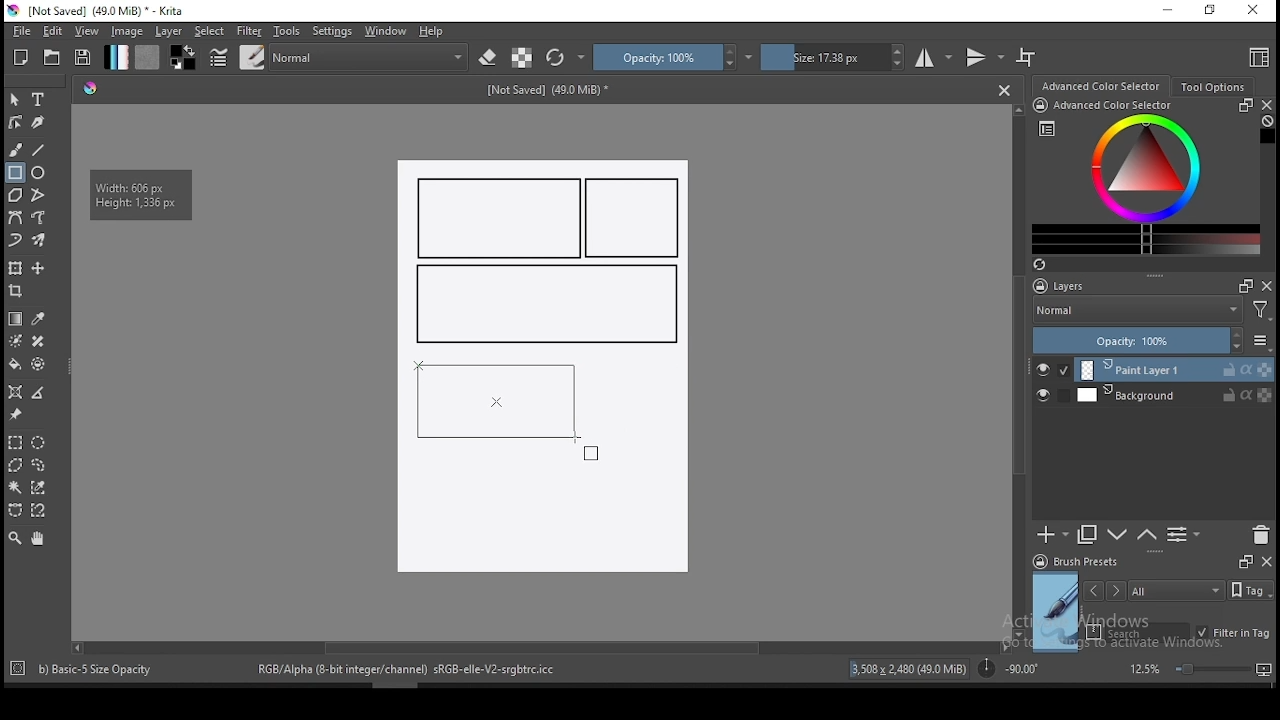  I want to click on zoom level, so click(1200, 668).